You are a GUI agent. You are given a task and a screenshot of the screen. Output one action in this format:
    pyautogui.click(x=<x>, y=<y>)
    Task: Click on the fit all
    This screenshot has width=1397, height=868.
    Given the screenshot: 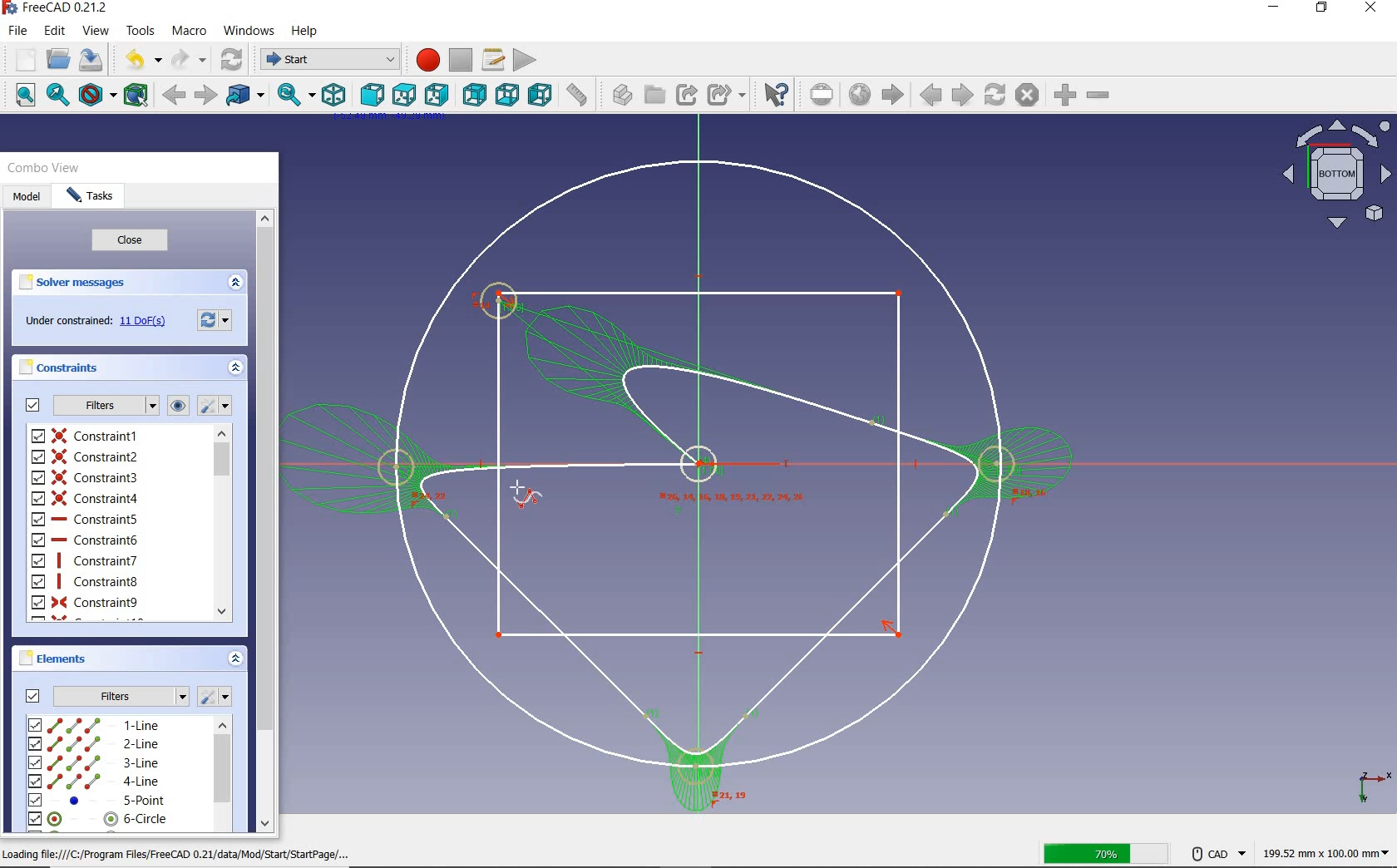 What is the action you would take?
    pyautogui.click(x=26, y=95)
    